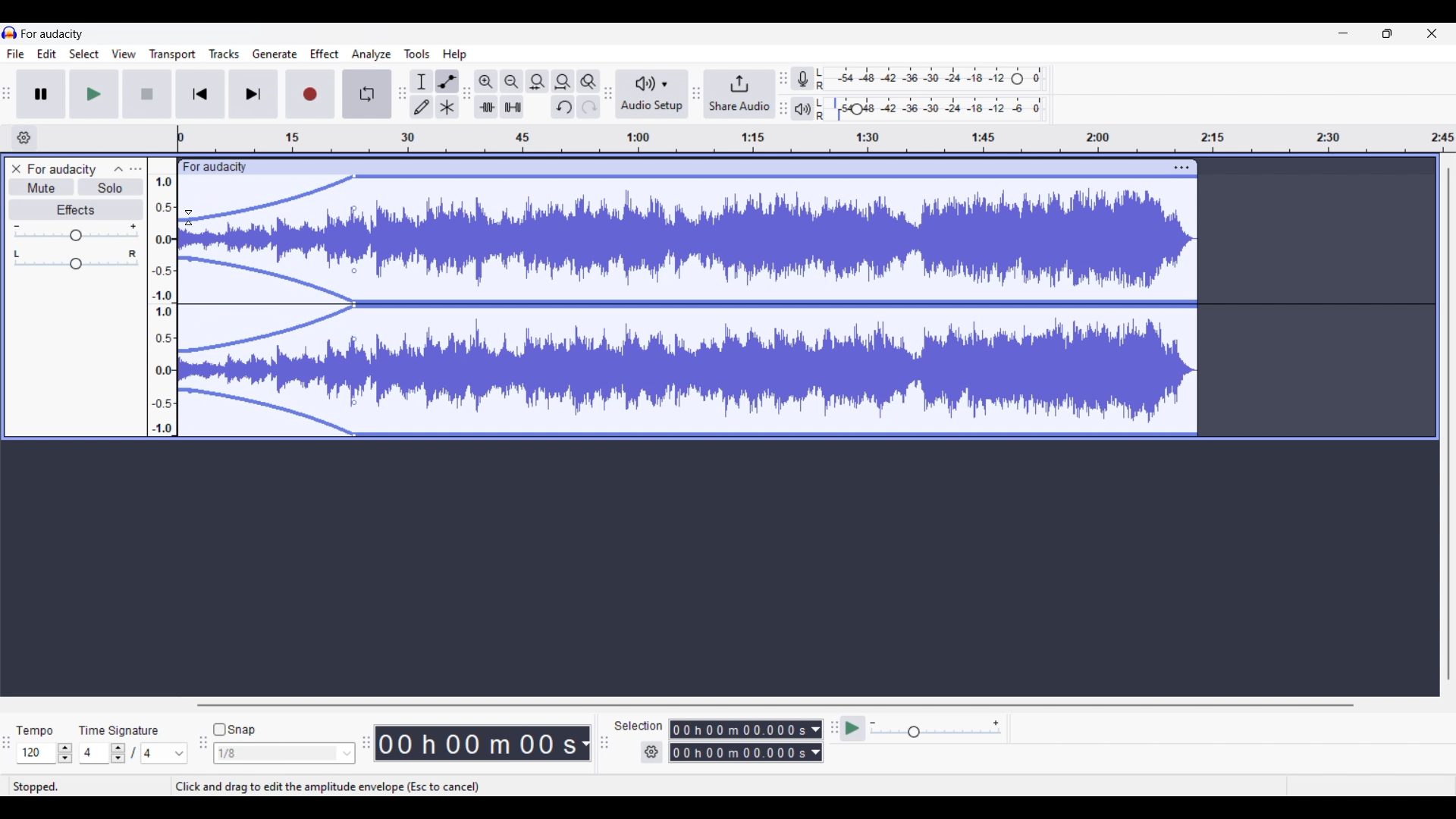  Describe the element at coordinates (215, 168) in the screenshot. I see `for audacity` at that location.